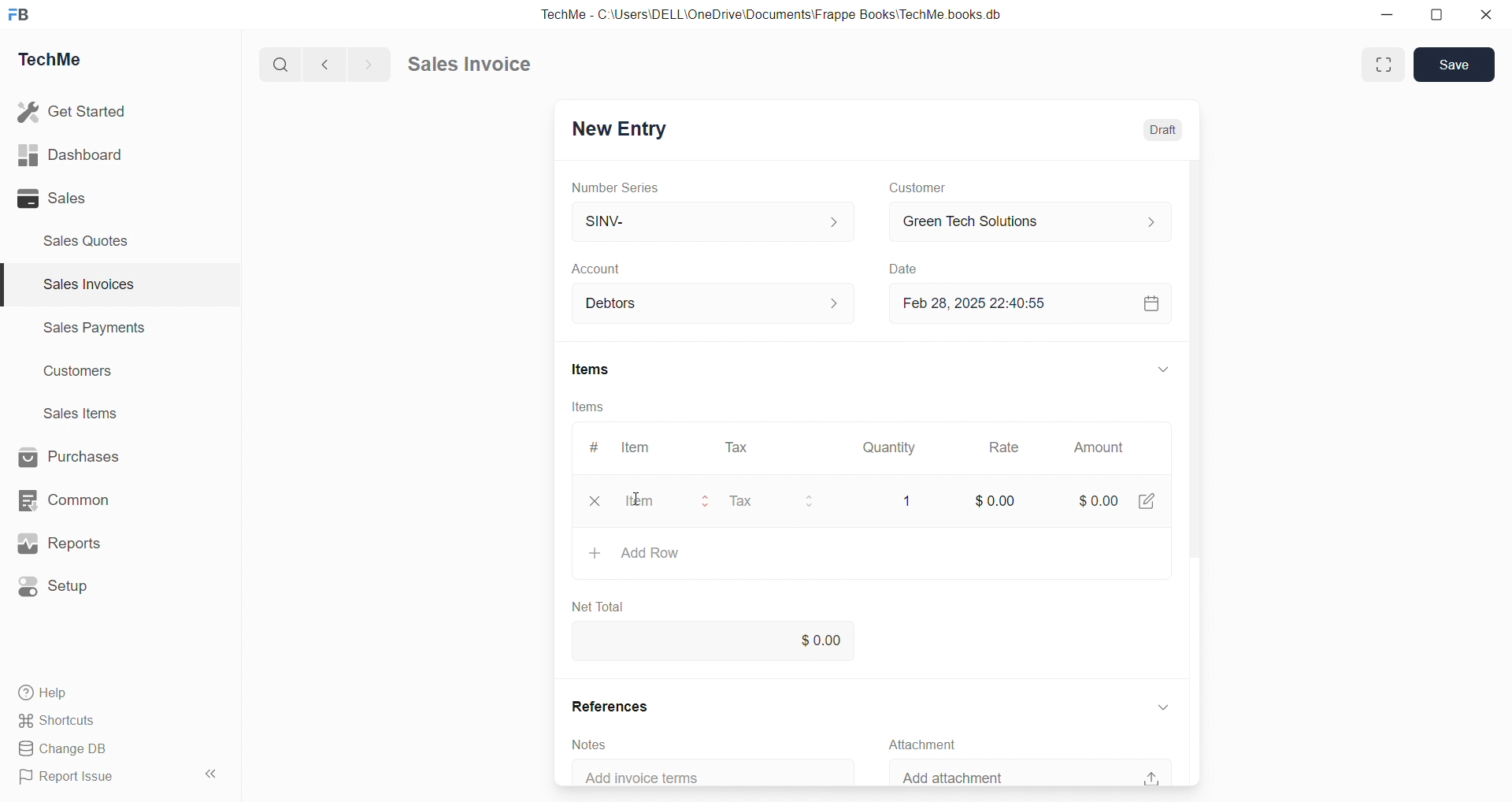 The image size is (1512, 802). Describe the element at coordinates (622, 130) in the screenshot. I see `New Entry` at that location.